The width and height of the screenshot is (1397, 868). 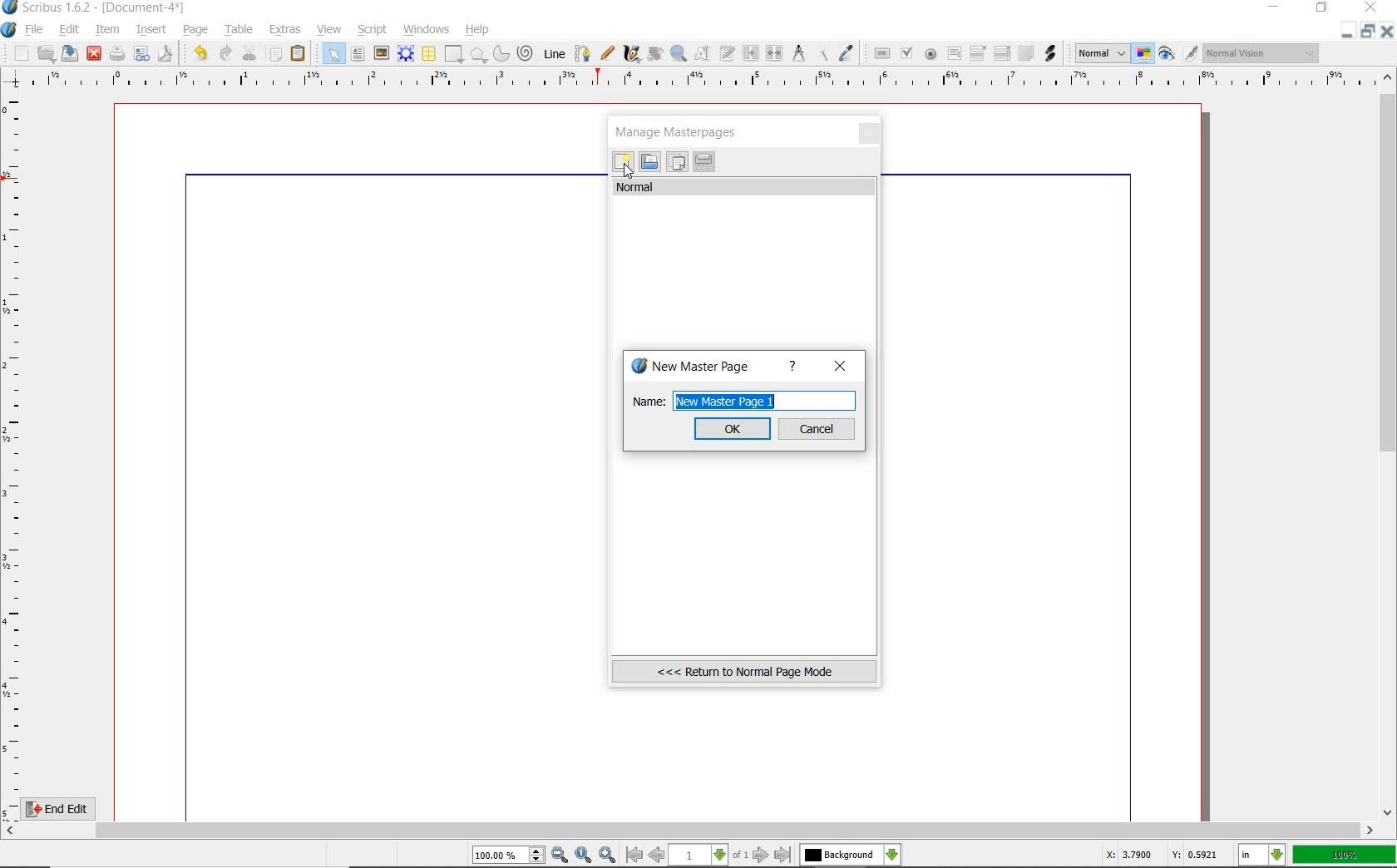 What do you see at coordinates (299, 54) in the screenshot?
I see `paste` at bounding box center [299, 54].